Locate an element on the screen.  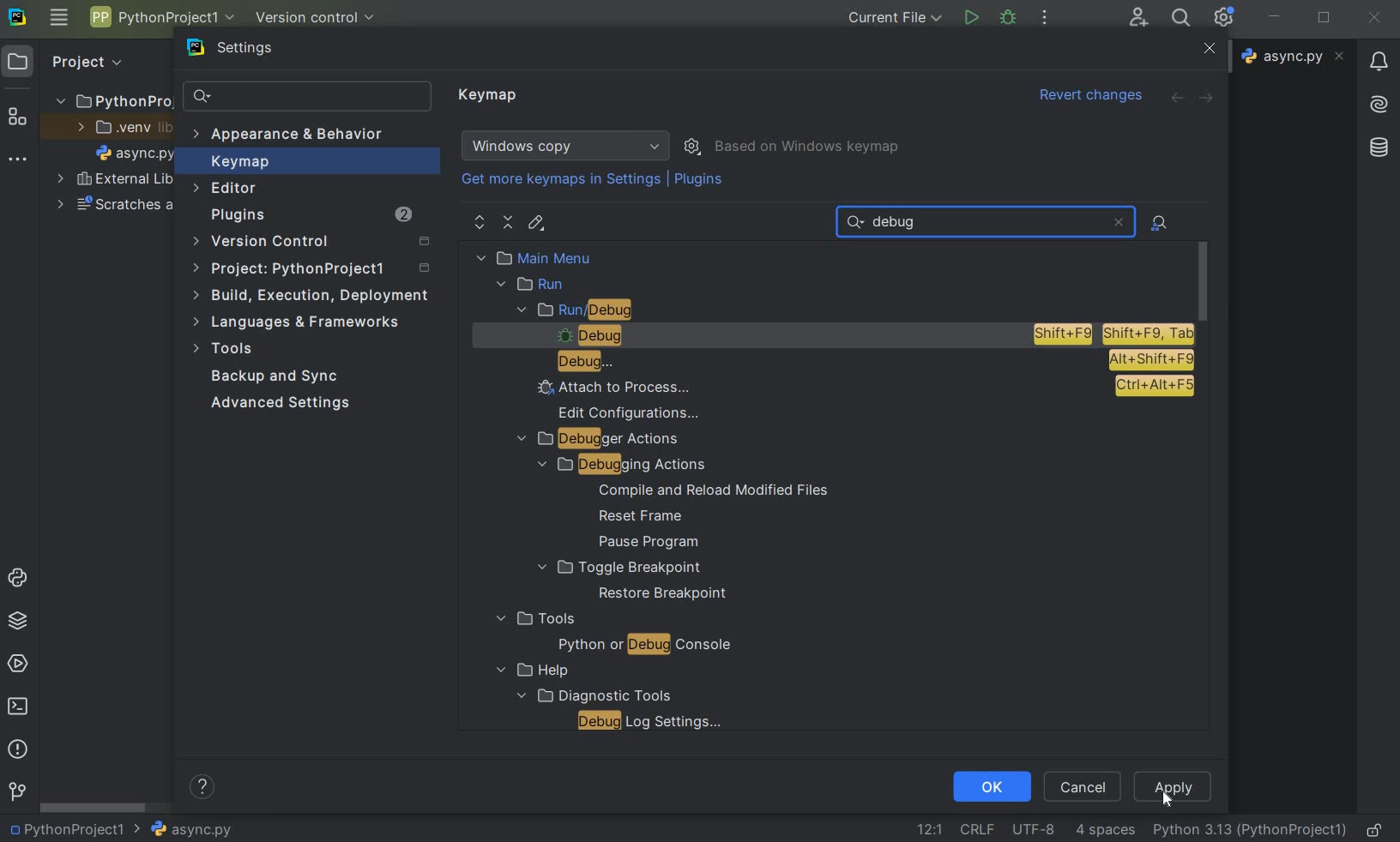
Revert changes is located at coordinates (1089, 93).